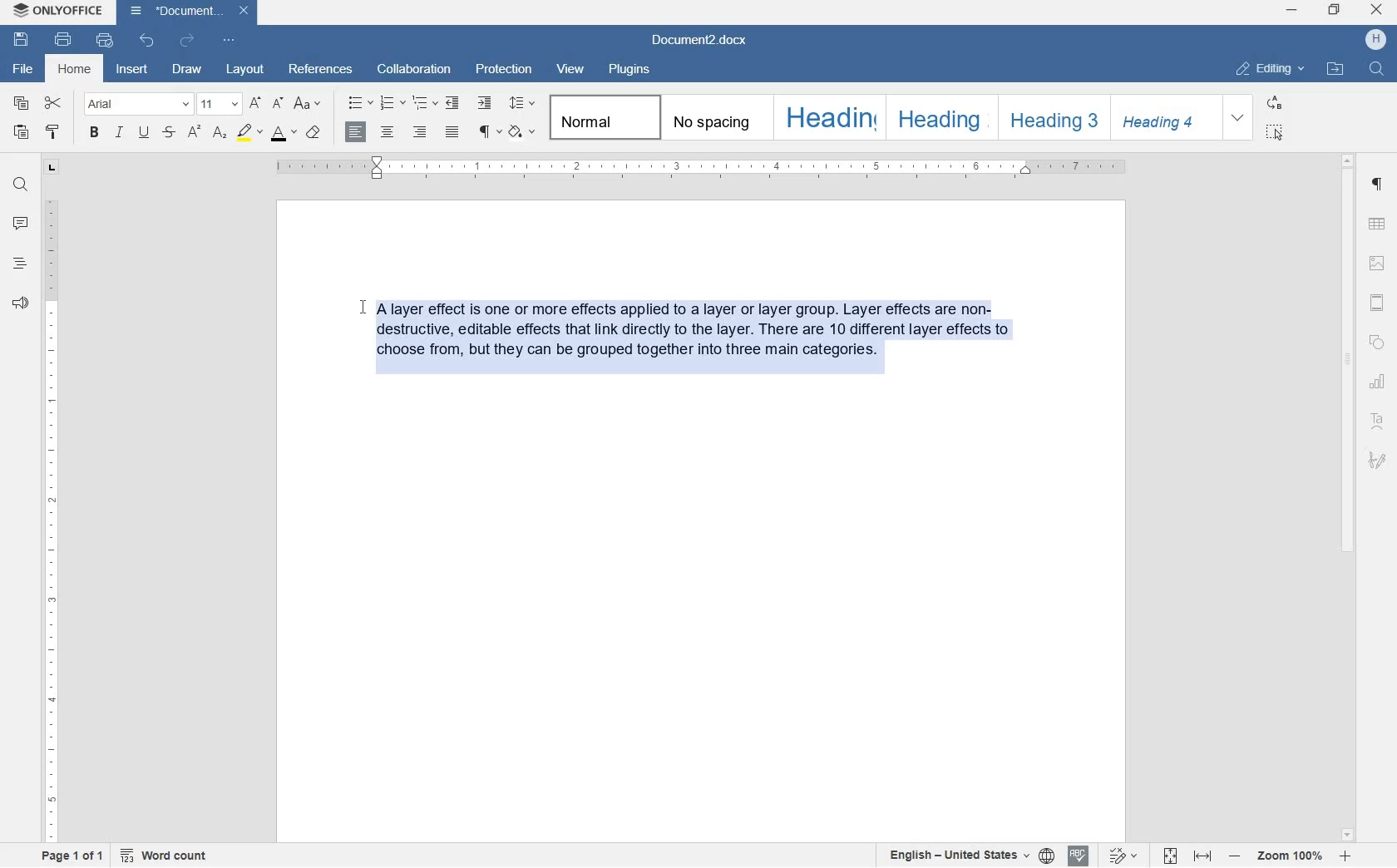  I want to click on expand formatting style, so click(1240, 118).